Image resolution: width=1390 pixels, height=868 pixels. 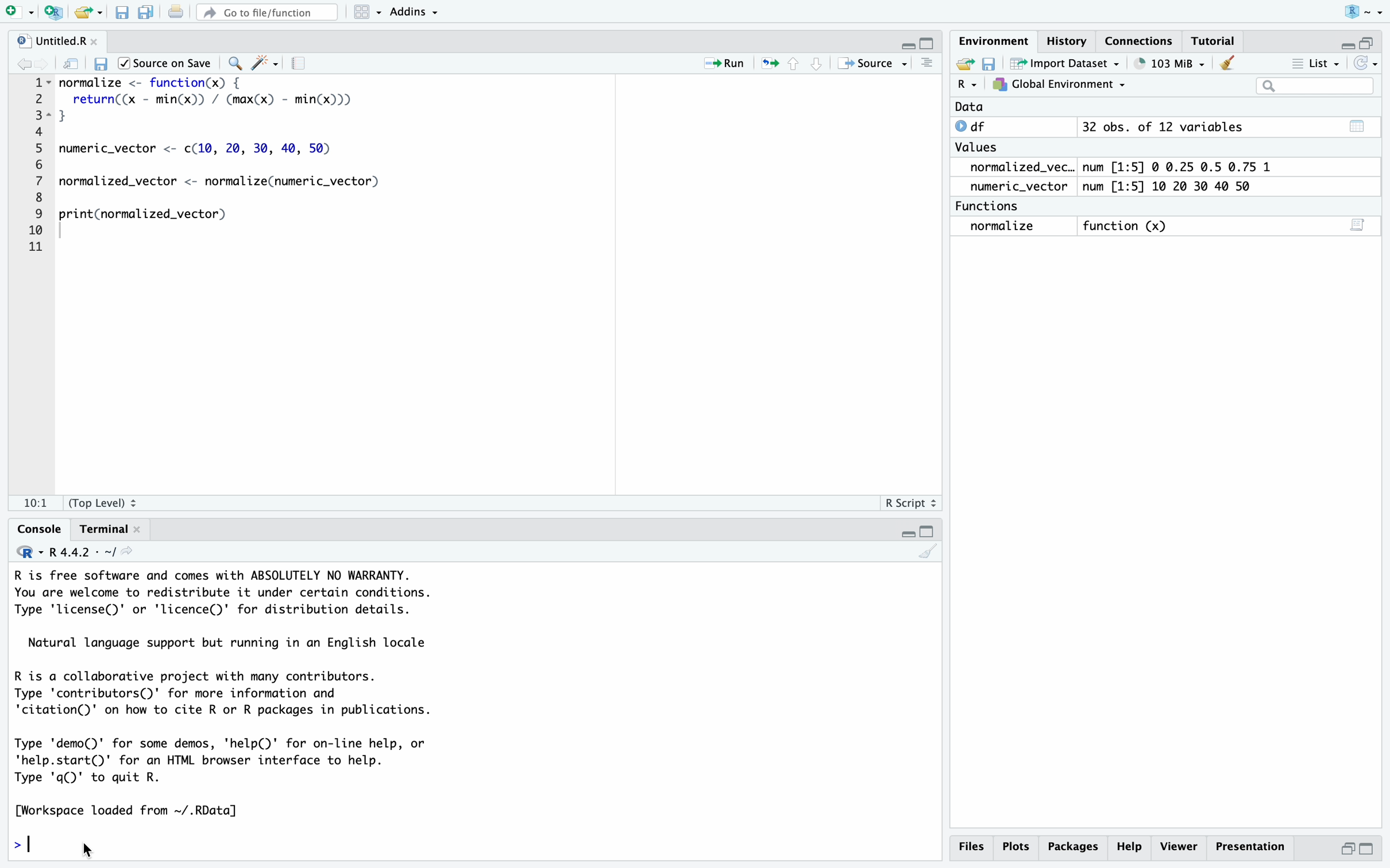 I want to click on Go back to the previous source location (Ctrl + F9), so click(x=25, y=62).